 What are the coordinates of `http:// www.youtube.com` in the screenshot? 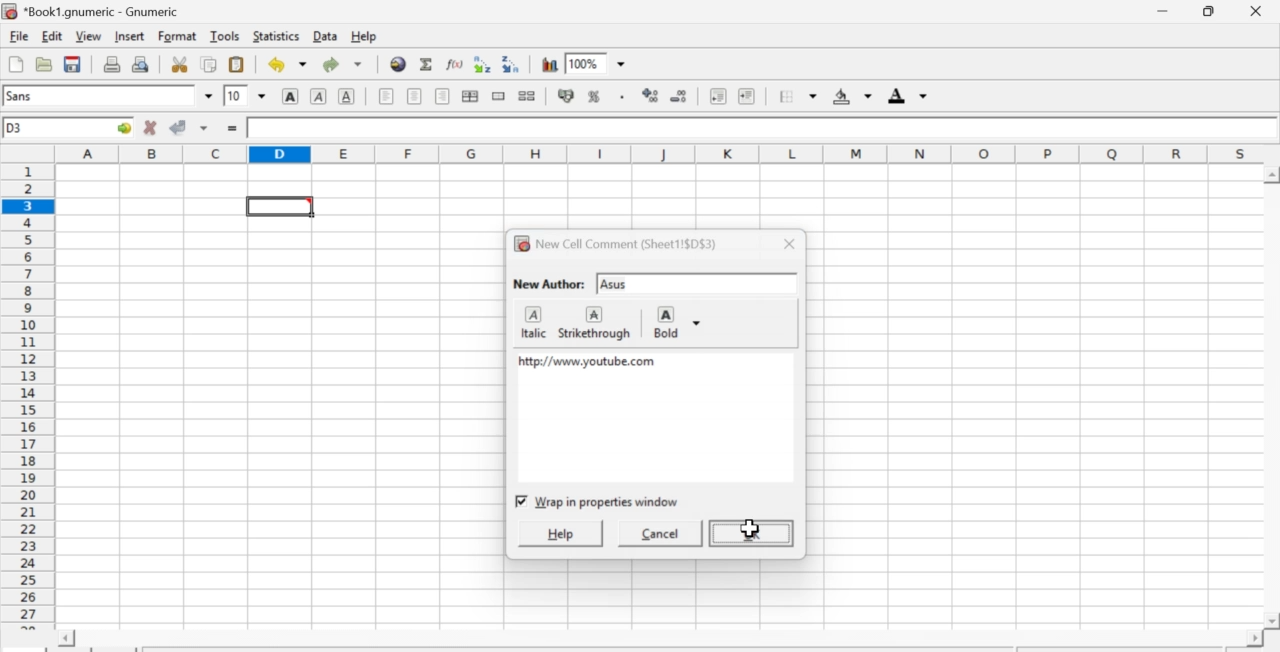 It's located at (589, 360).